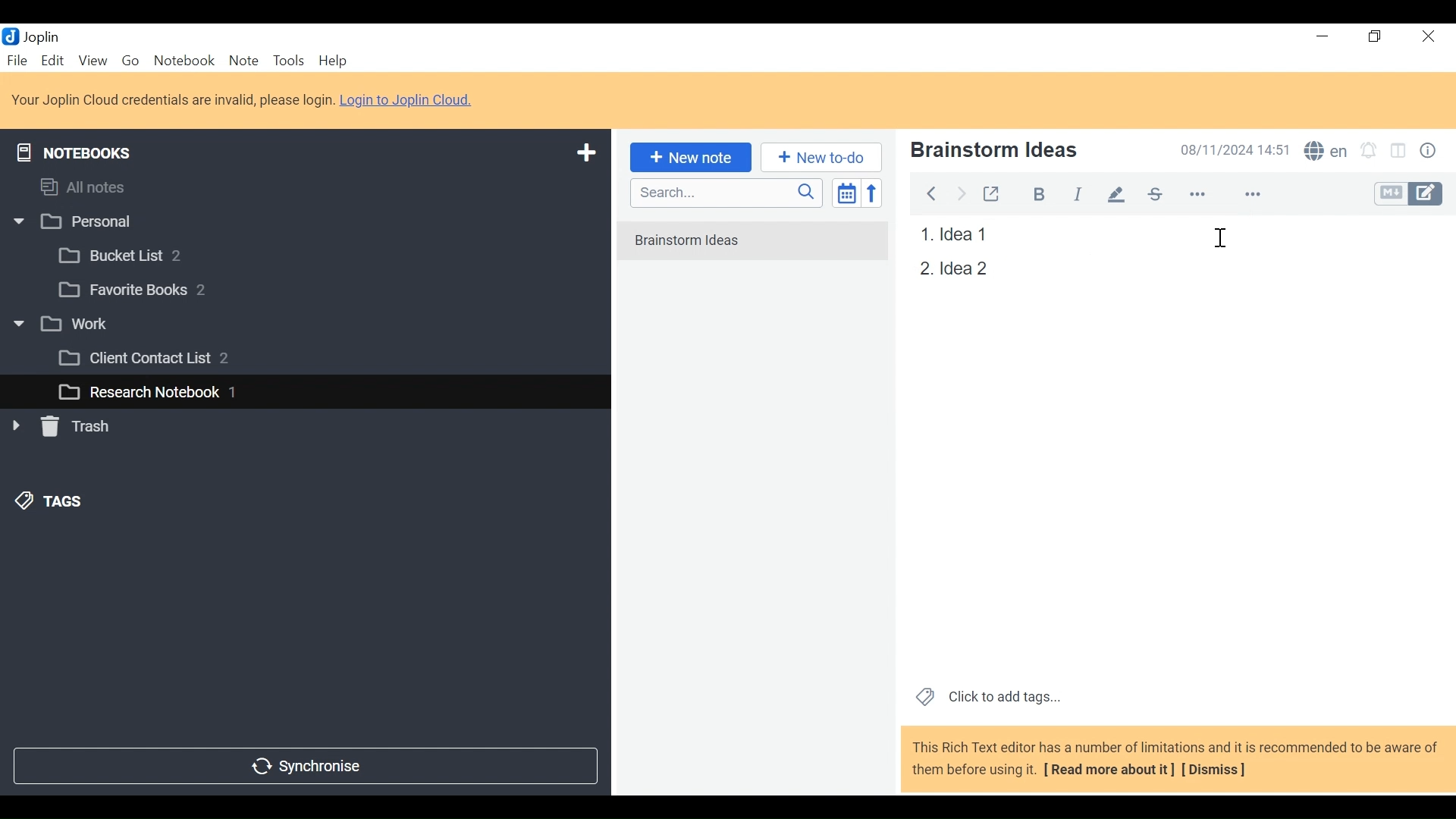 Image resolution: width=1456 pixels, height=819 pixels. What do you see at coordinates (1399, 152) in the screenshot?
I see `Toggle Editor layout` at bounding box center [1399, 152].